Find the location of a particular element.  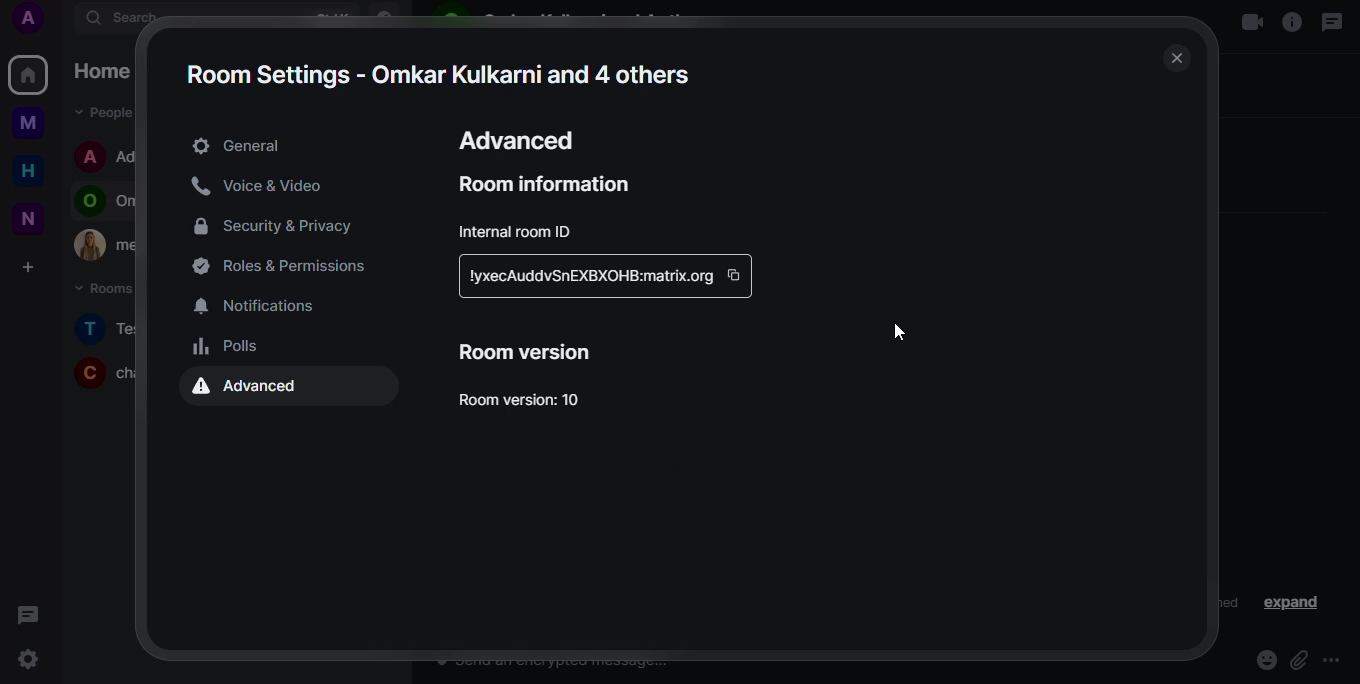

security & privacy is located at coordinates (281, 223).